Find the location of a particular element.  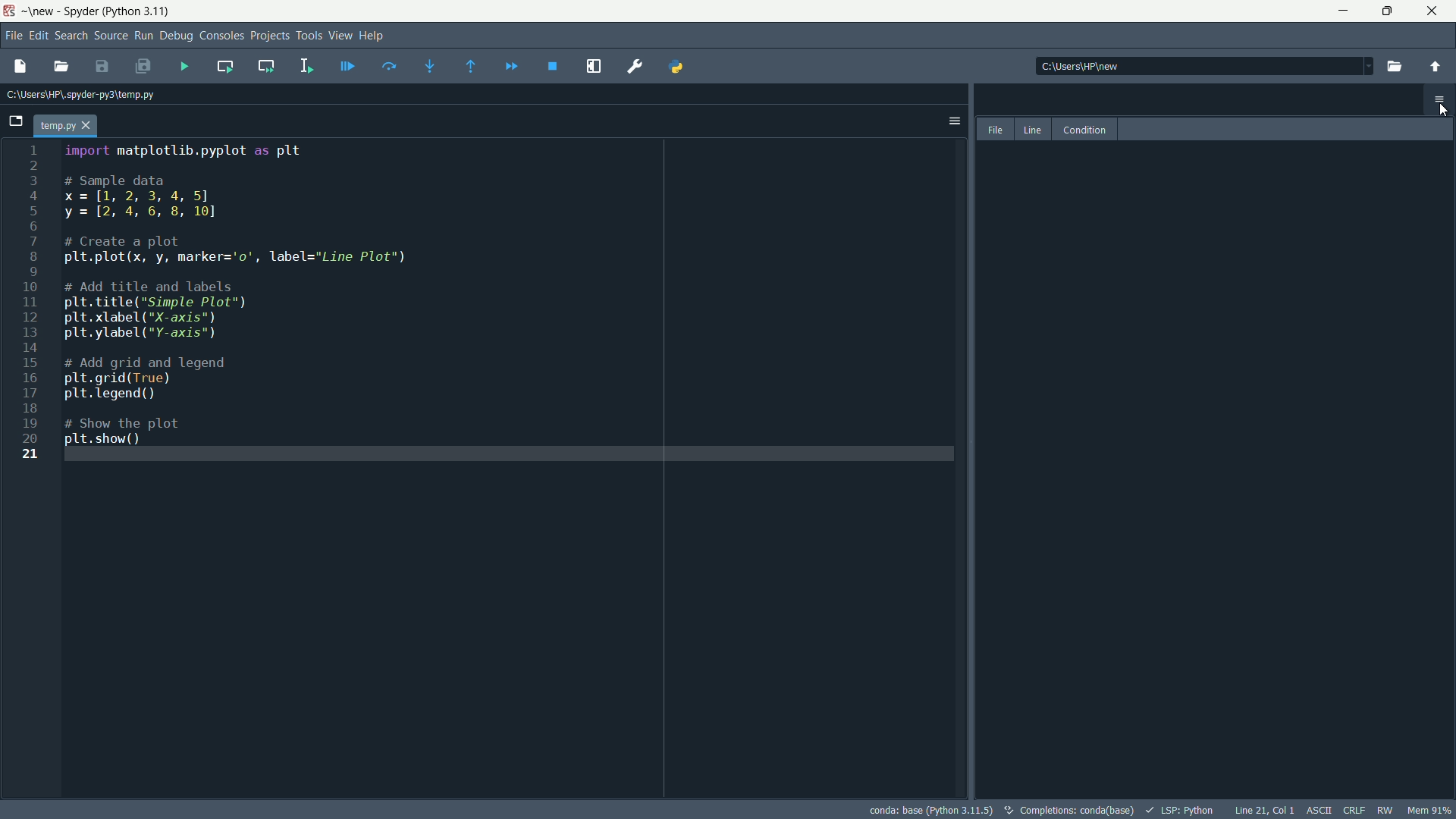

view menu is located at coordinates (340, 35).